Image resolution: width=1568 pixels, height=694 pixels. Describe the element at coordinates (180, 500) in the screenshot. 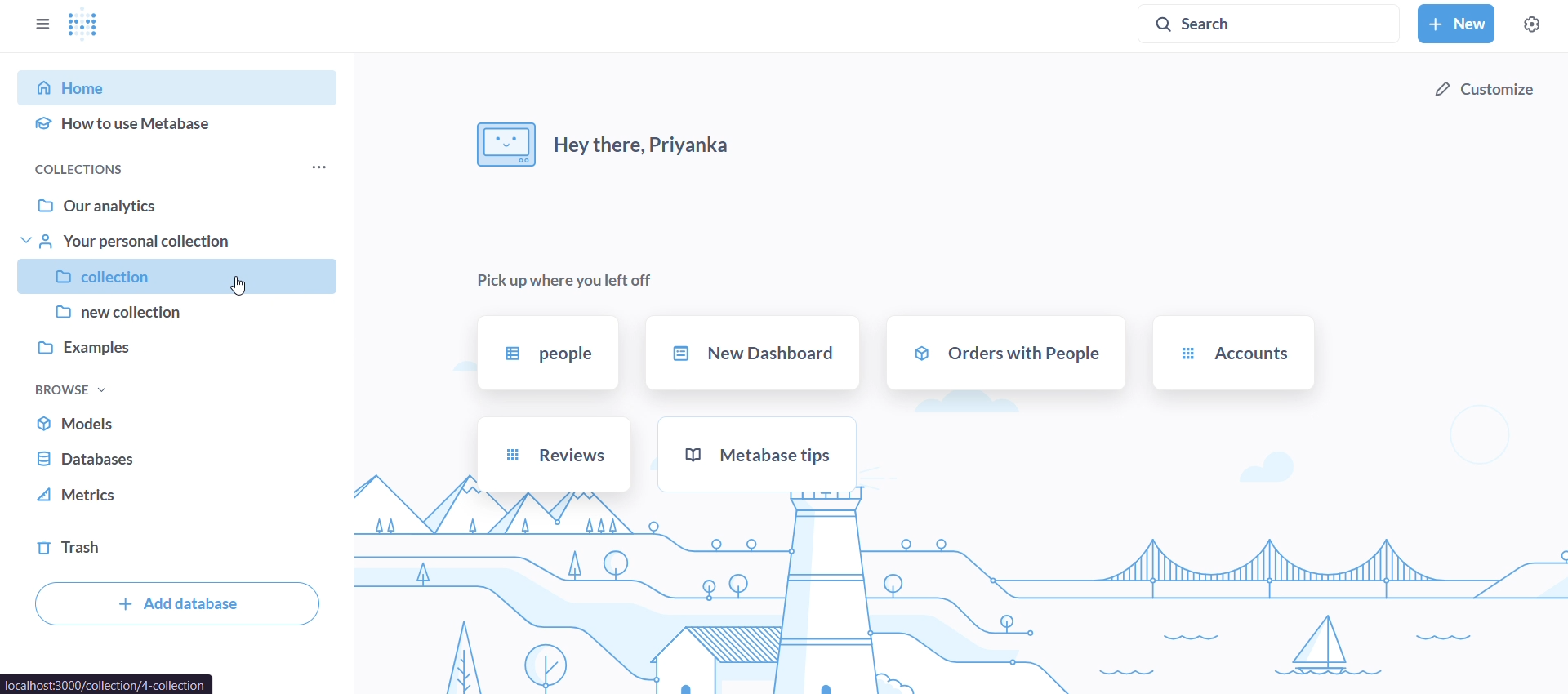

I see `metrics` at that location.